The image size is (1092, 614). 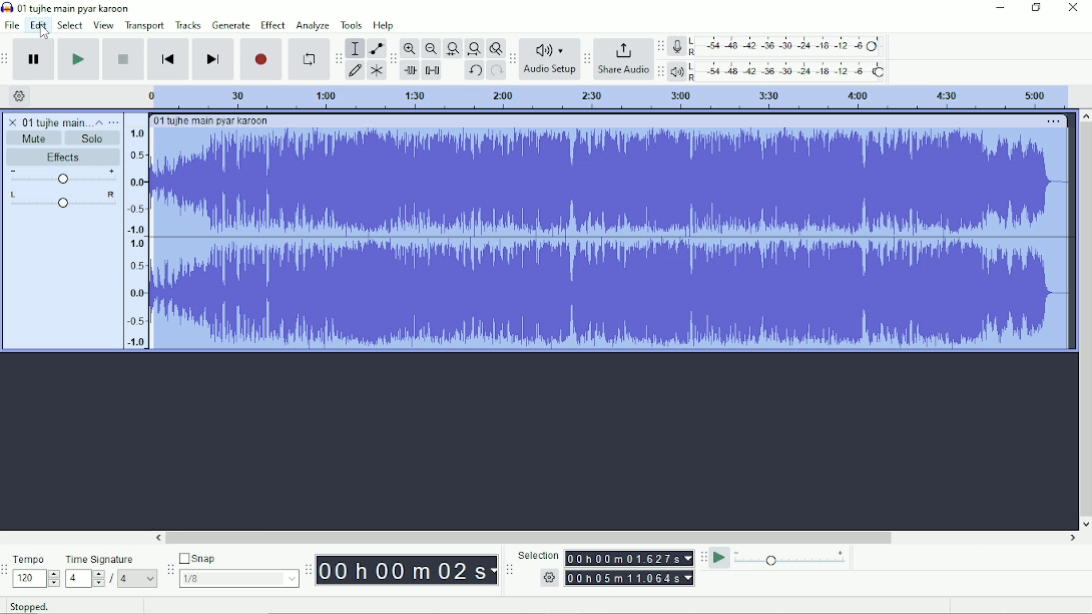 I want to click on 00 h 00 m 00.00s, so click(x=630, y=578).